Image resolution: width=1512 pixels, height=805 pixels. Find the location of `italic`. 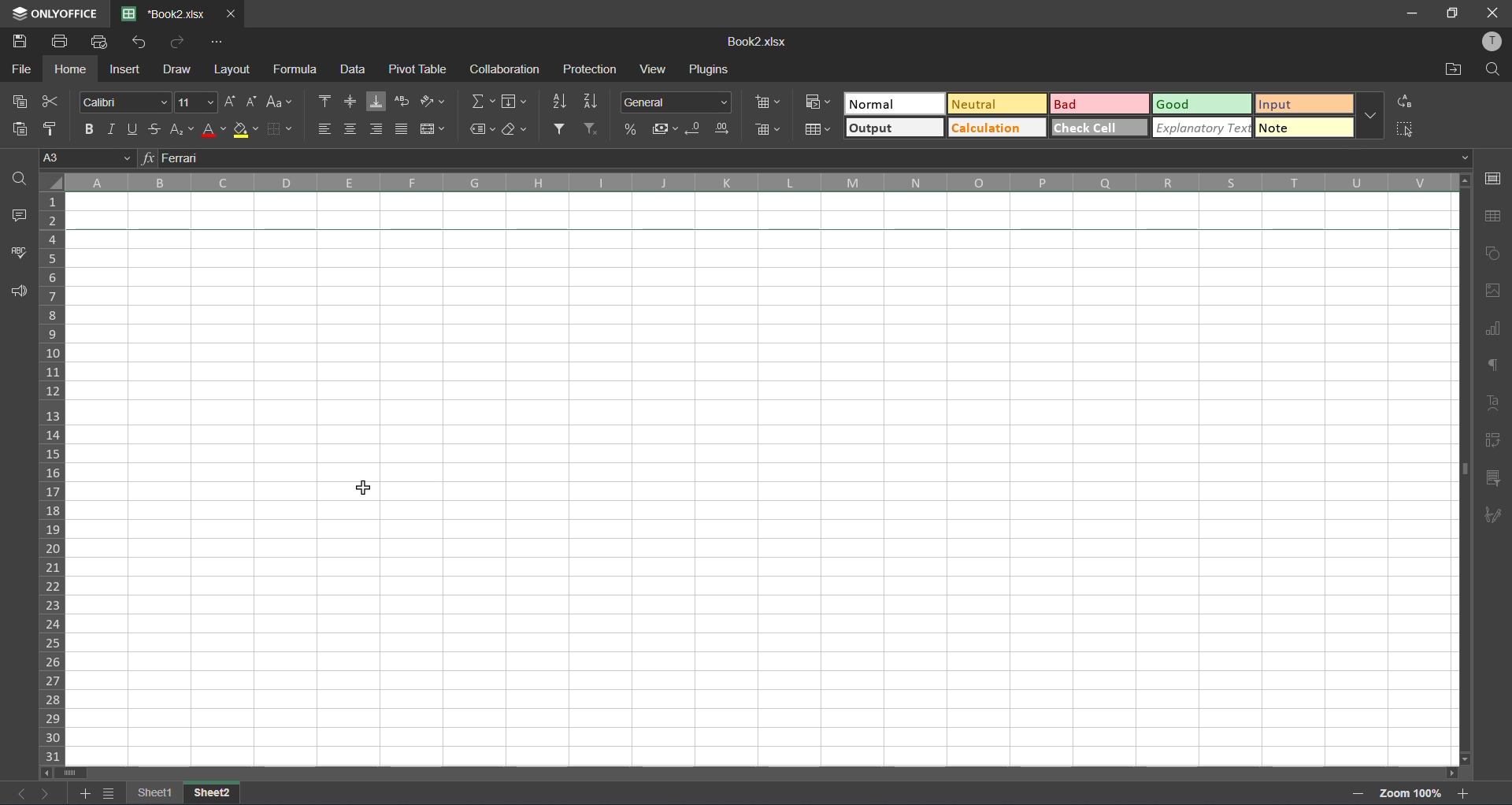

italic is located at coordinates (112, 128).